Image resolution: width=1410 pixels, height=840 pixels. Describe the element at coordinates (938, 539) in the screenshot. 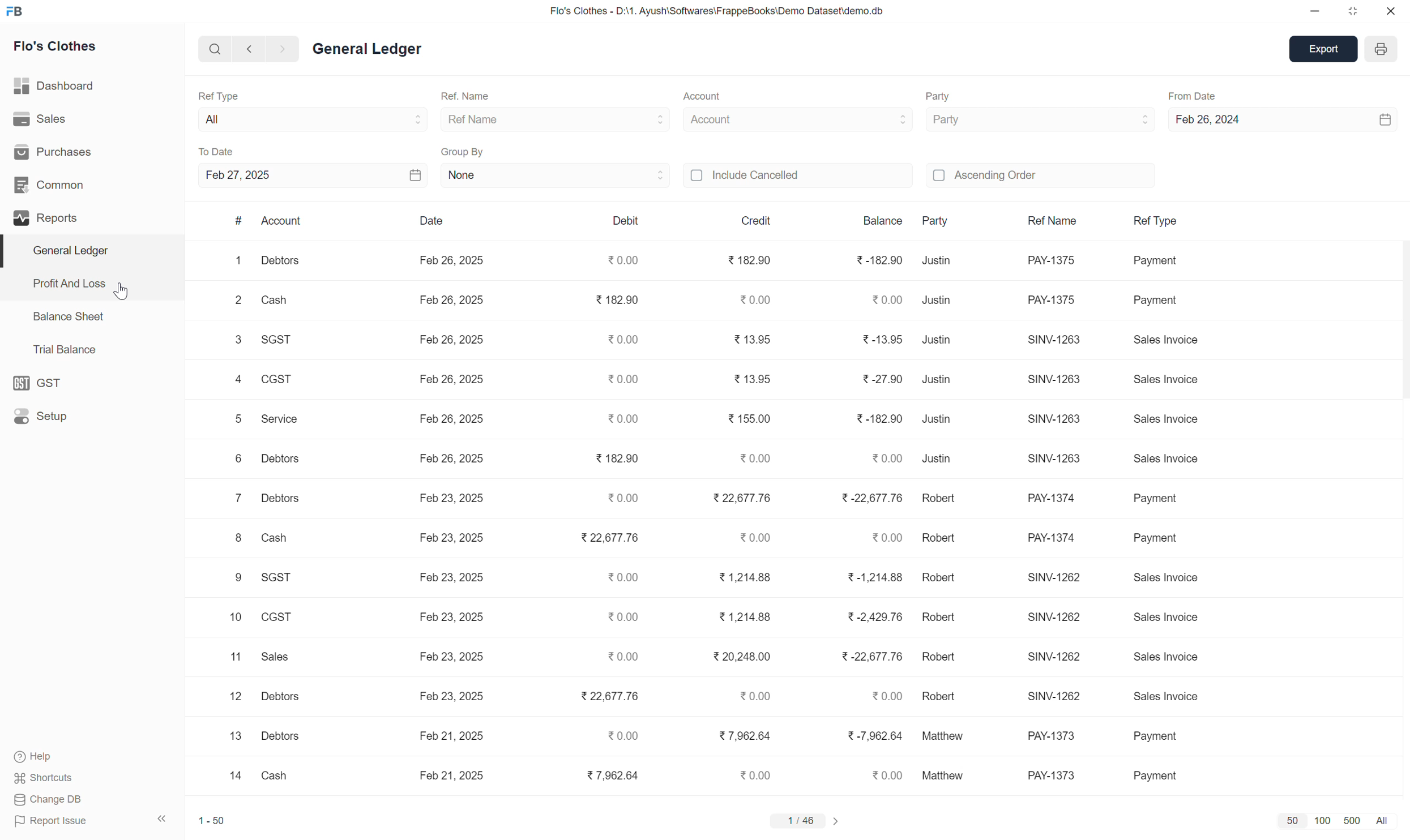

I see `Robert` at that location.